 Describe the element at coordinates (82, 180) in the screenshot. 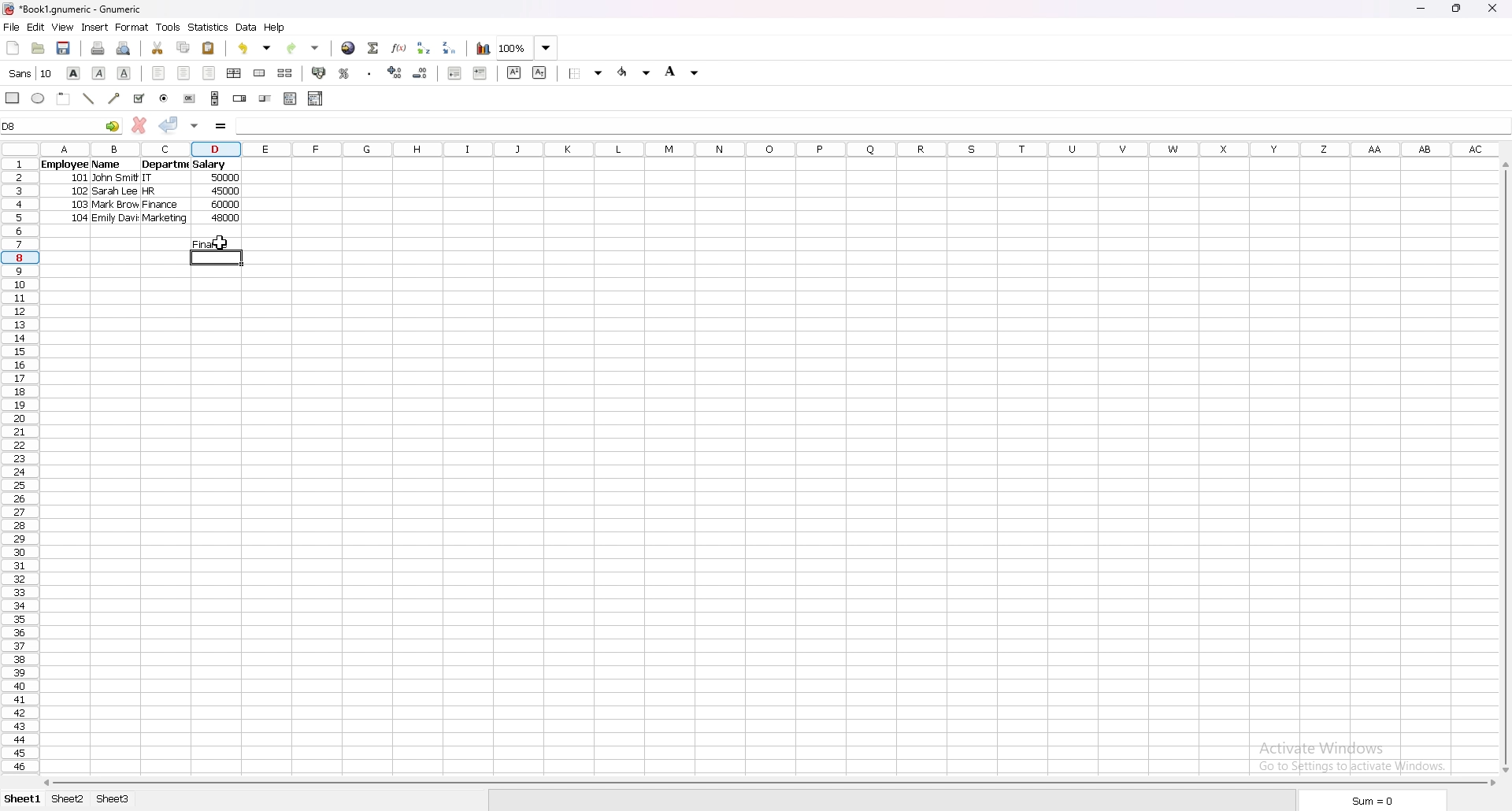

I see `101` at that location.